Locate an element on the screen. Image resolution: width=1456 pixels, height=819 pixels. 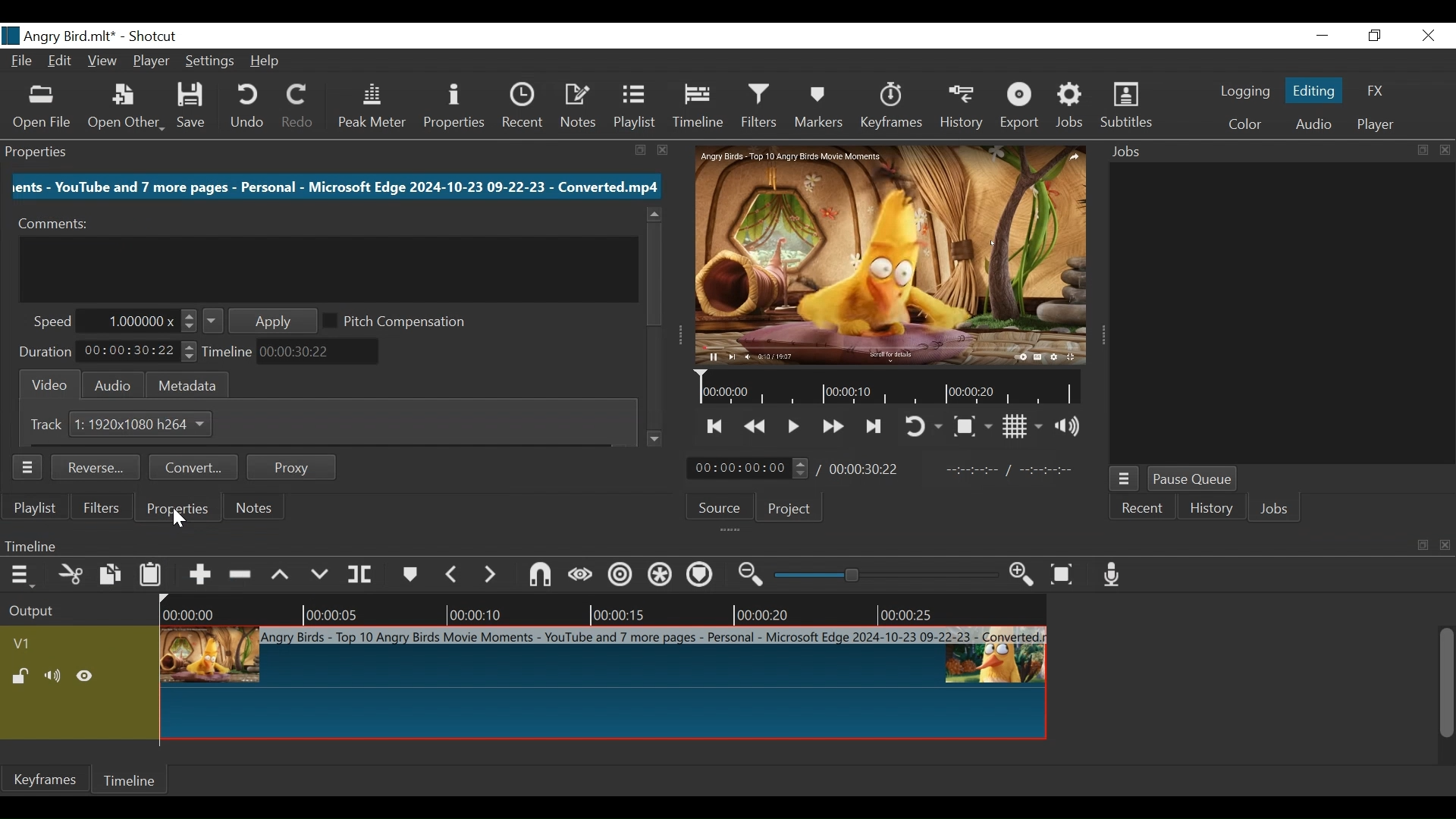
Jobs Panel is located at coordinates (1280, 315).